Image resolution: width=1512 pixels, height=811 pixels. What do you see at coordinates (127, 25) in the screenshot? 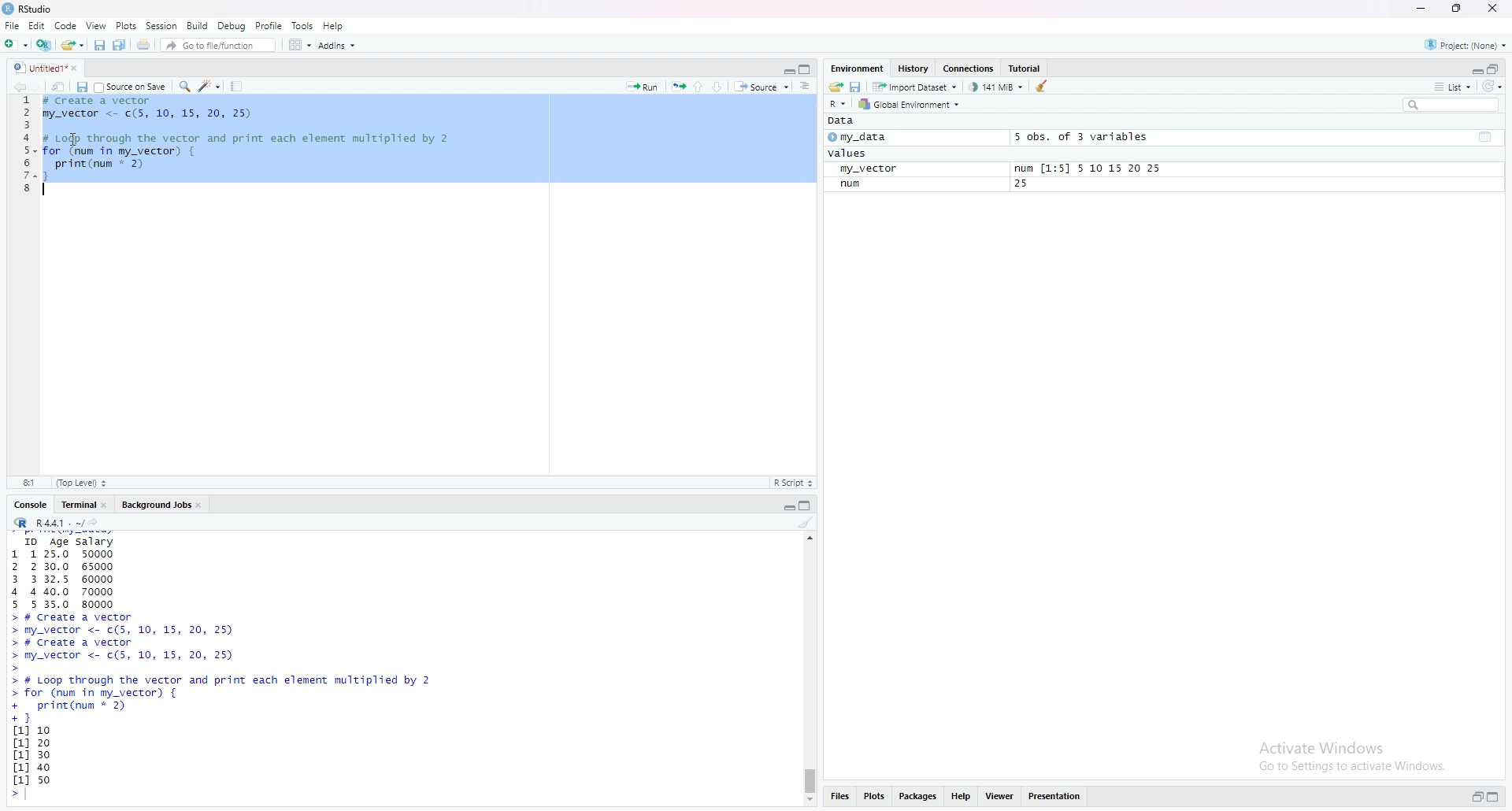
I see `Plots` at bounding box center [127, 25].